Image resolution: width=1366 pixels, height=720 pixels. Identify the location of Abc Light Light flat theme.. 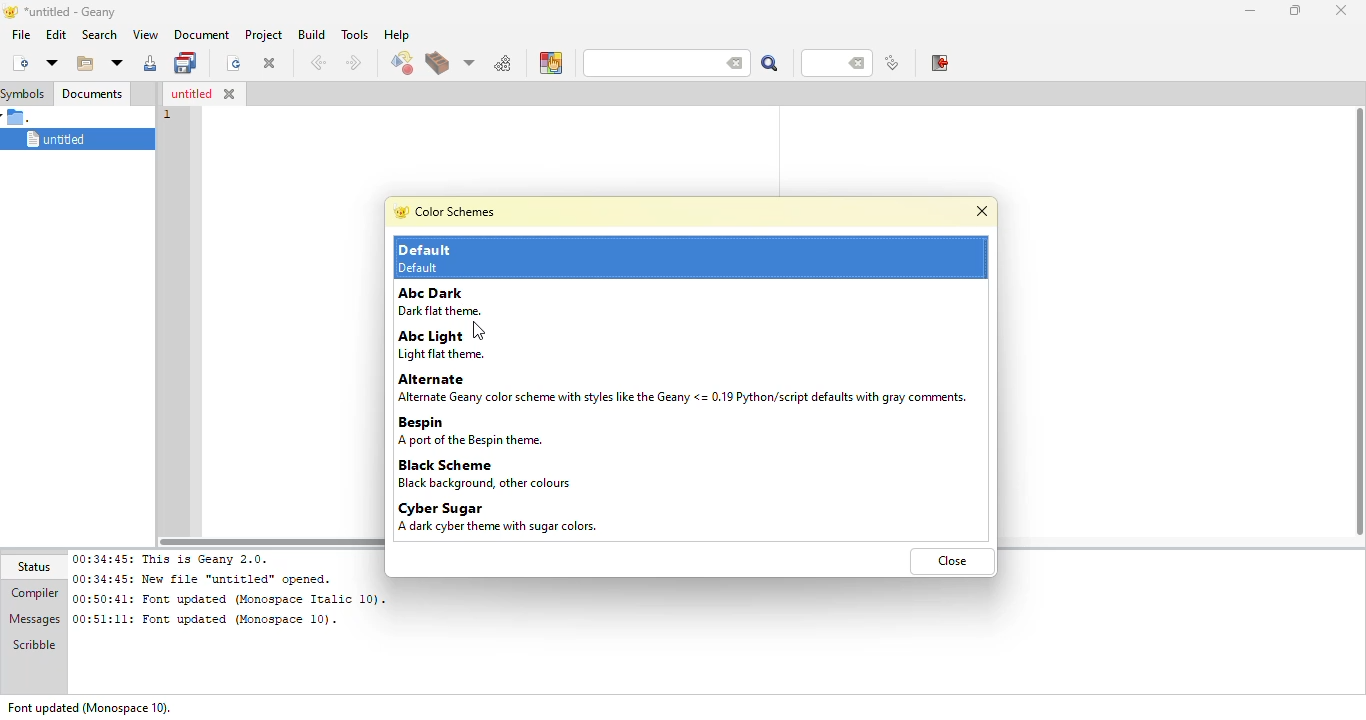
(474, 346).